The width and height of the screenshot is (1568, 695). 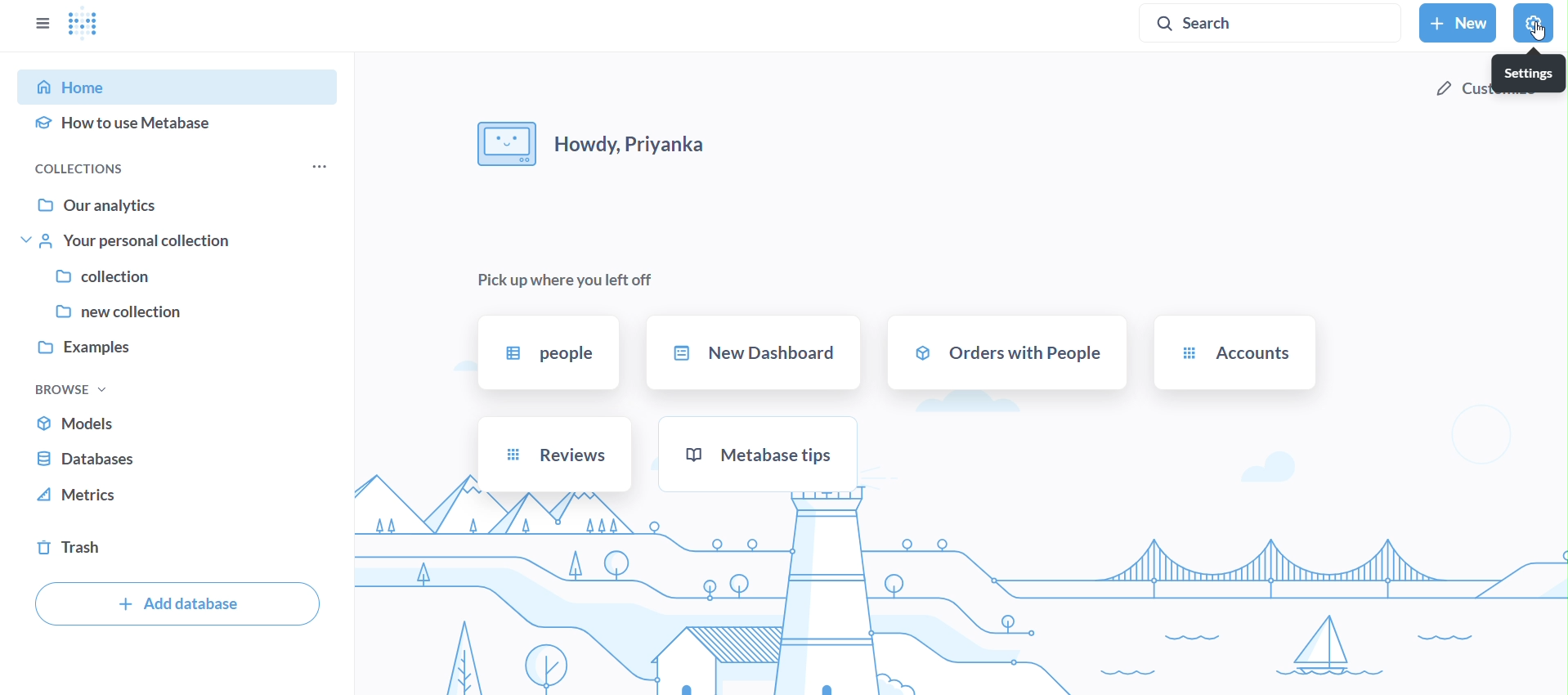 I want to click on pickup where you left off, so click(x=559, y=280).